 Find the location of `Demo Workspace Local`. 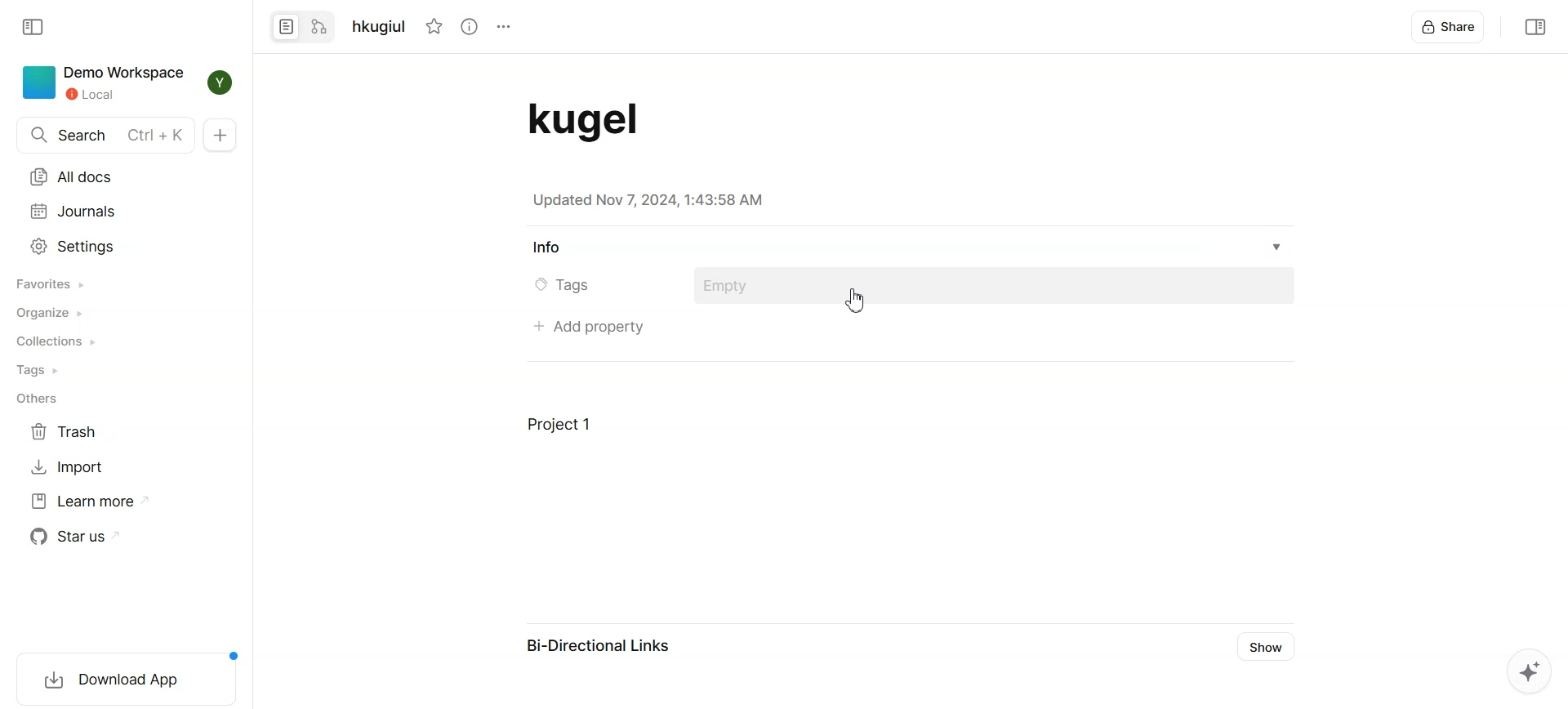

Demo Workspace Local is located at coordinates (125, 82).